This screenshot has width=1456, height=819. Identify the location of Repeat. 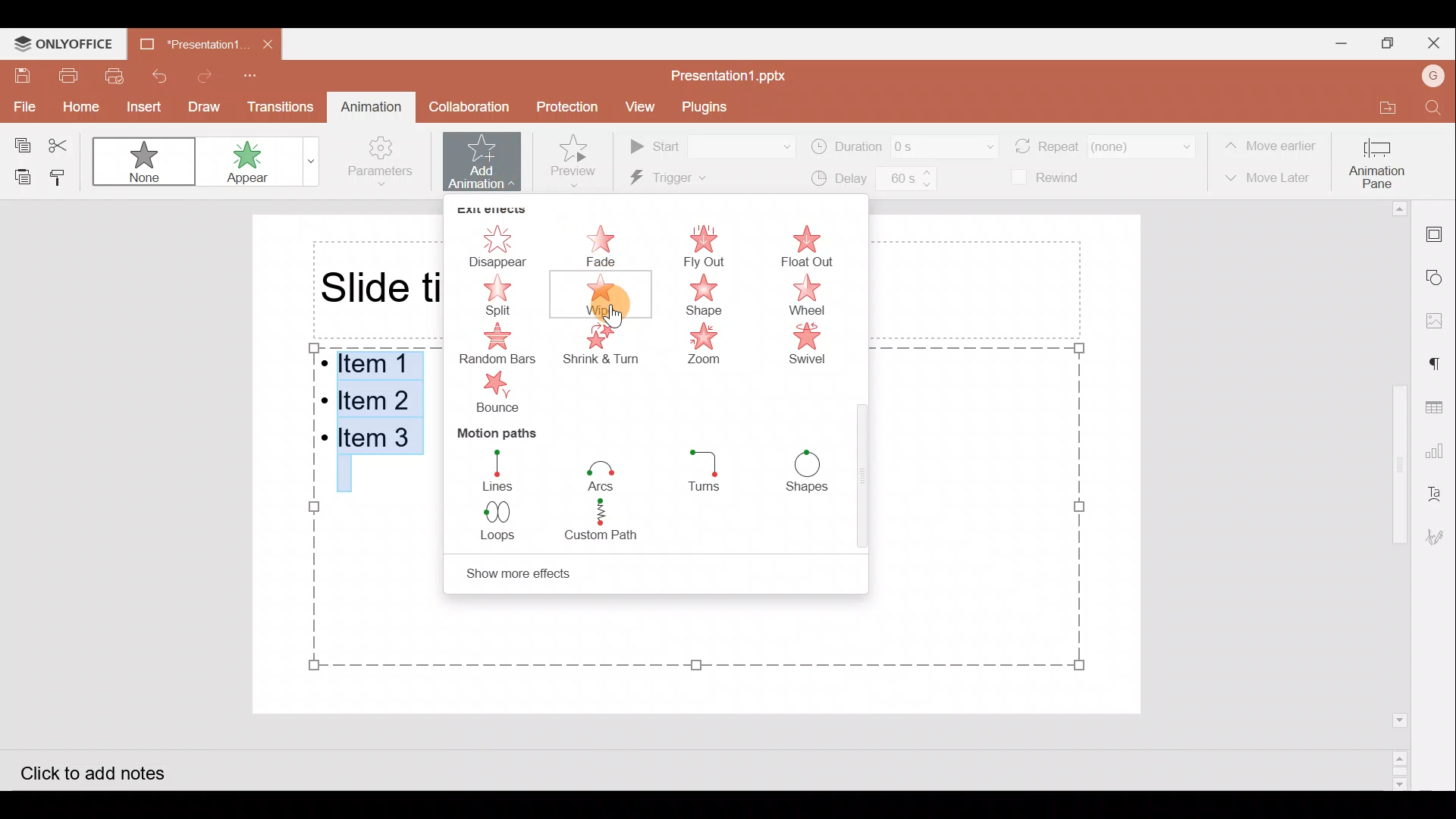
(1106, 144).